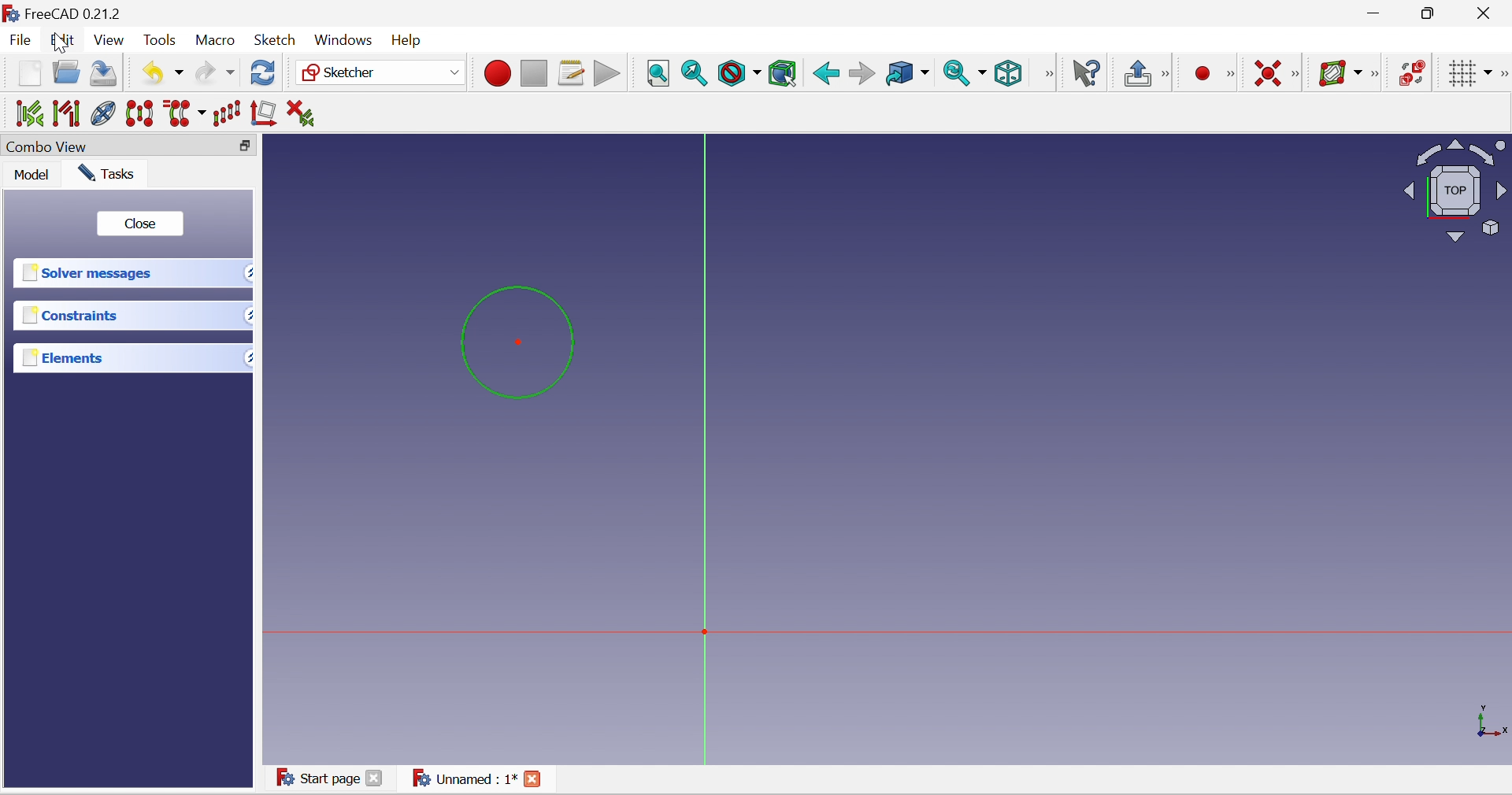  I want to click on Switch virtual space, so click(1413, 72).